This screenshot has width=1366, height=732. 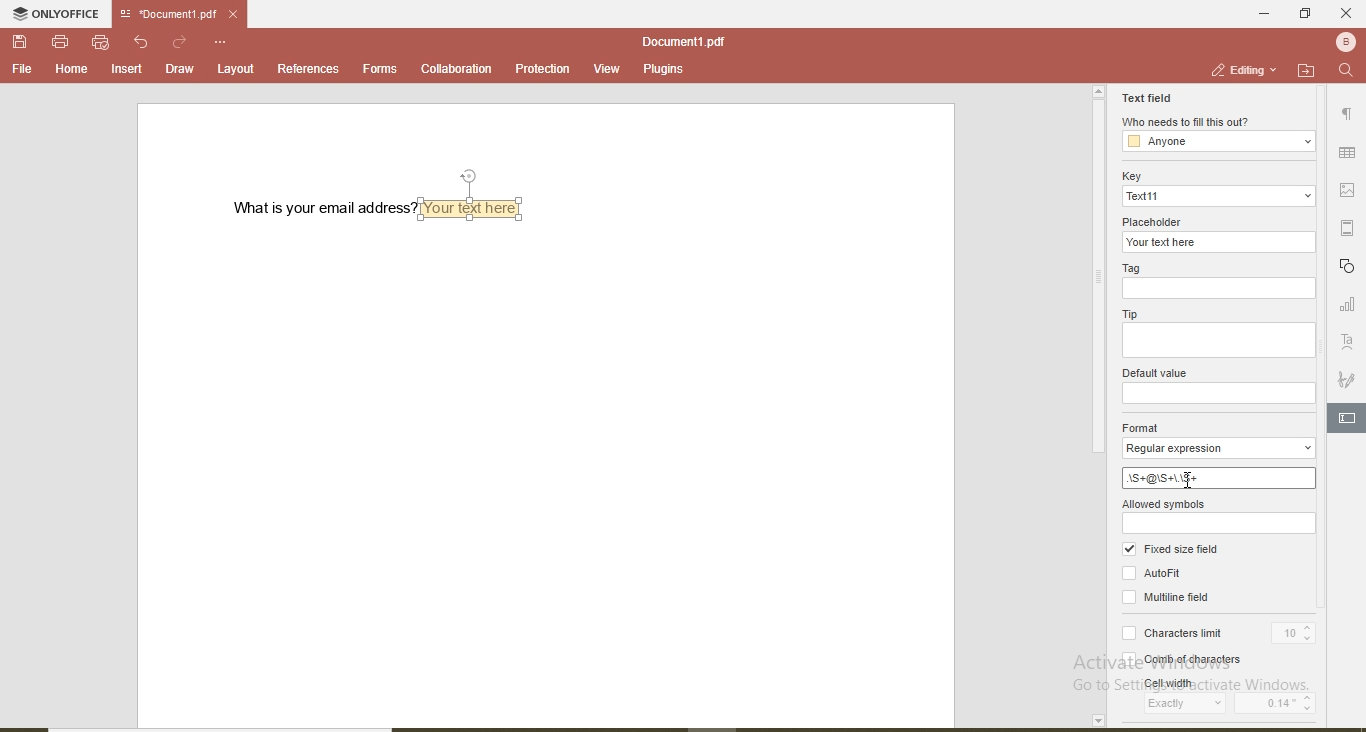 I want to click on file name, so click(x=164, y=15).